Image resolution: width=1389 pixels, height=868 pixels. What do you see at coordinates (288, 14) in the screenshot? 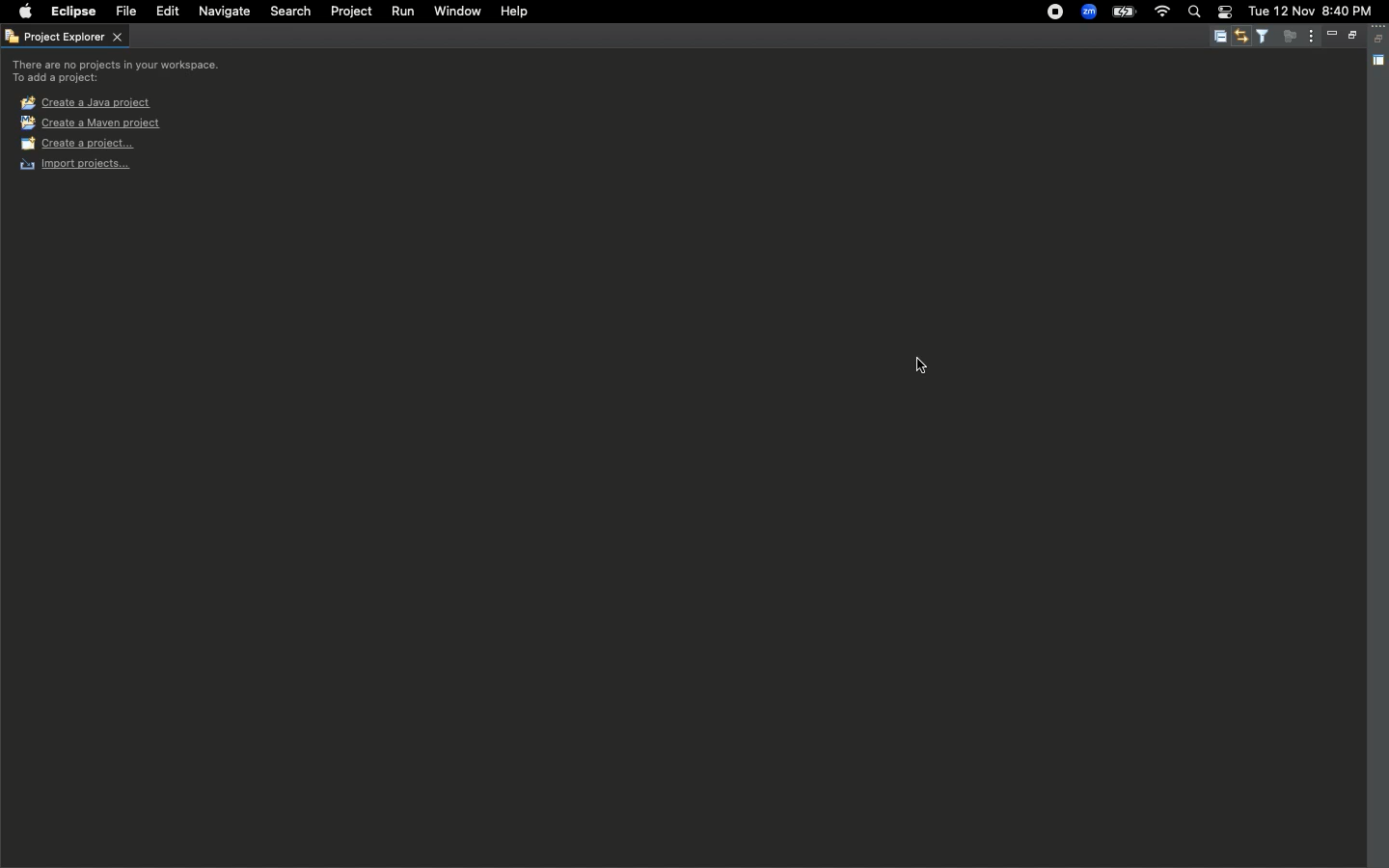
I see `Search` at bounding box center [288, 14].